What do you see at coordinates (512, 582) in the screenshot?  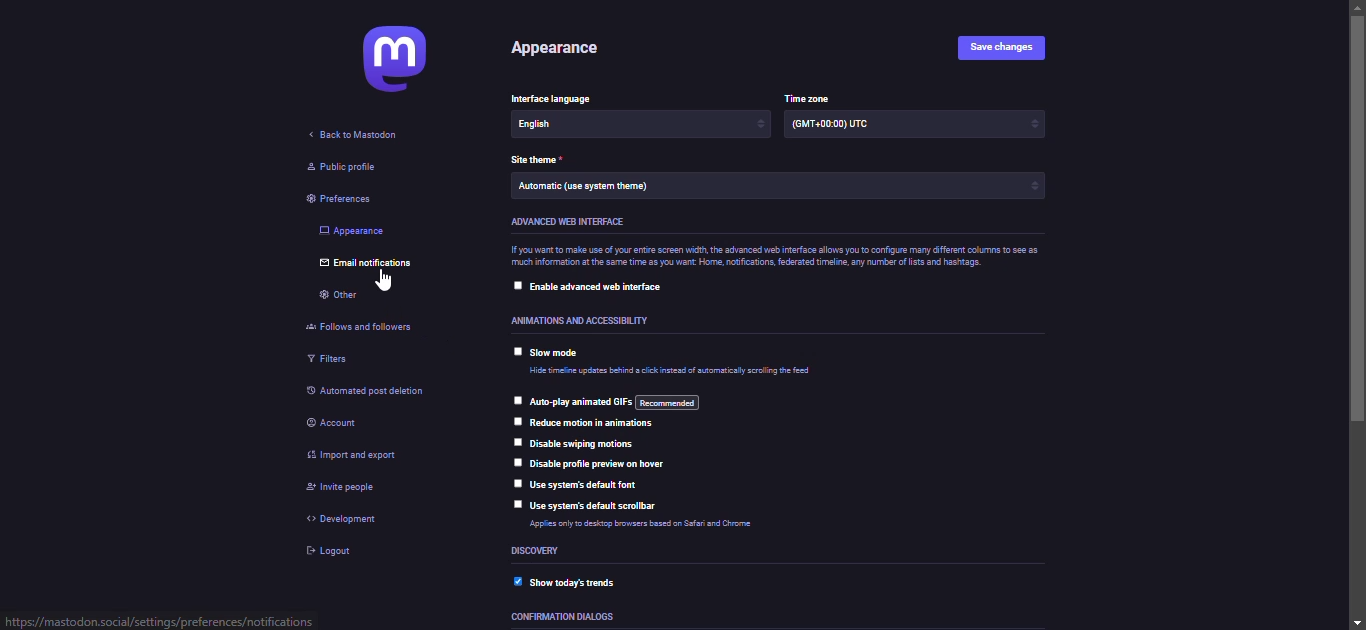 I see `enabled` at bounding box center [512, 582].